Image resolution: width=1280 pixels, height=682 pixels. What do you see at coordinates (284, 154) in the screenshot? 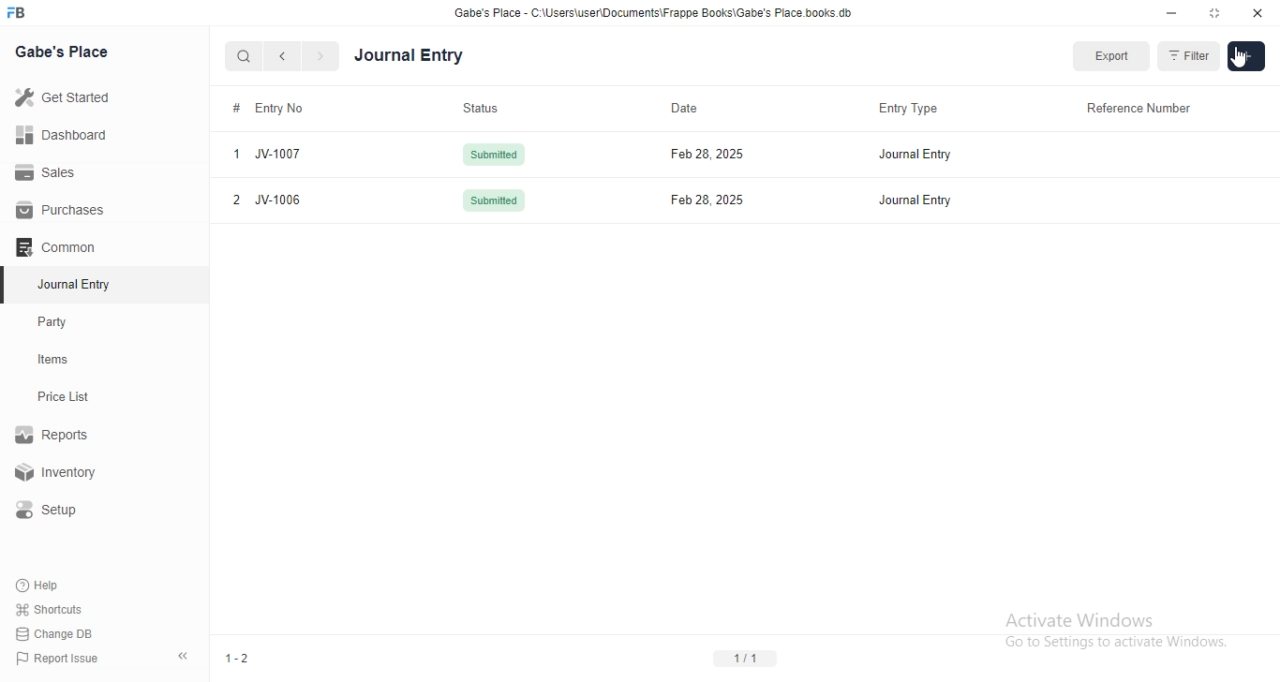
I see `IV-1007` at bounding box center [284, 154].